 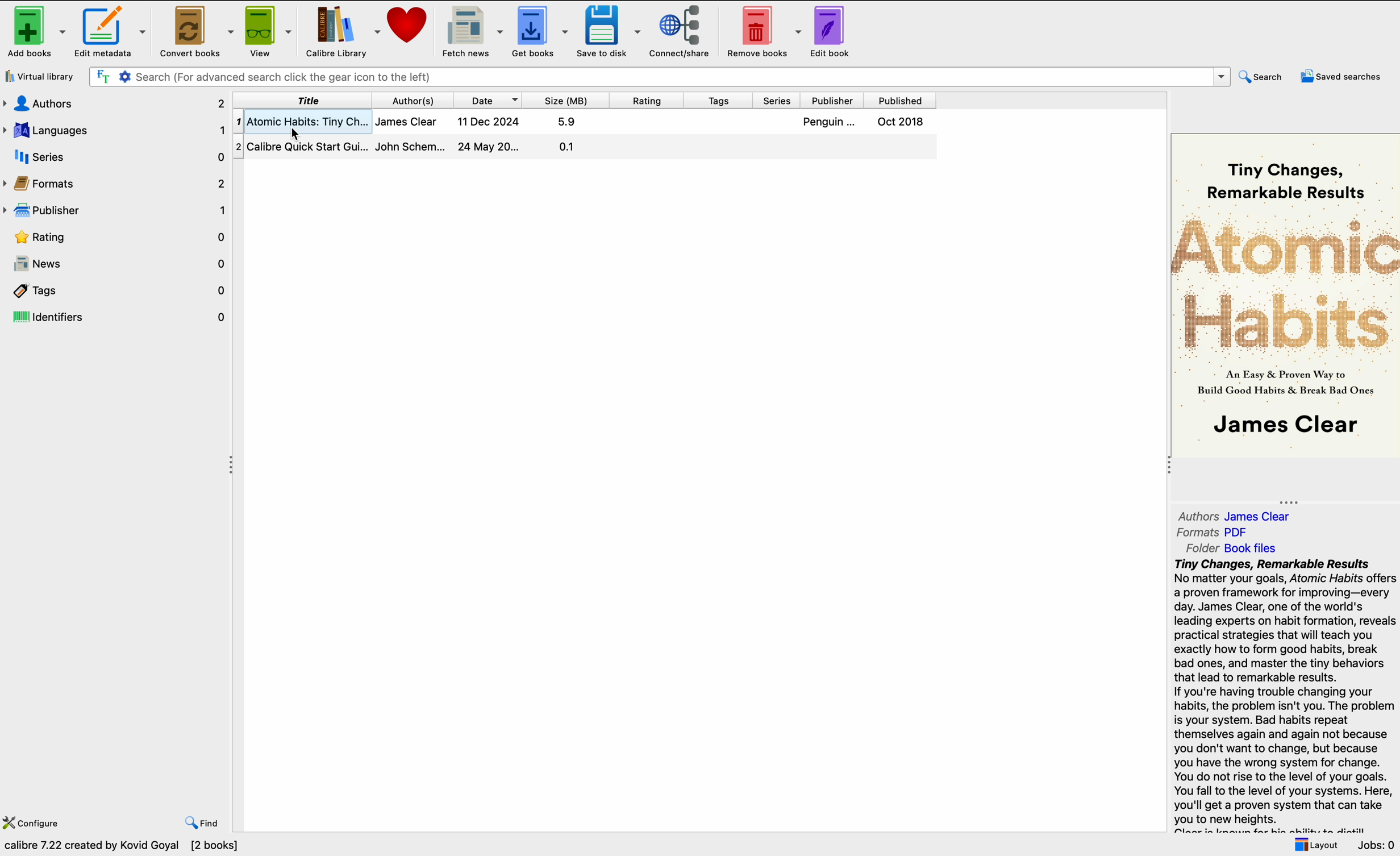 I want to click on folder, so click(x=1235, y=548).